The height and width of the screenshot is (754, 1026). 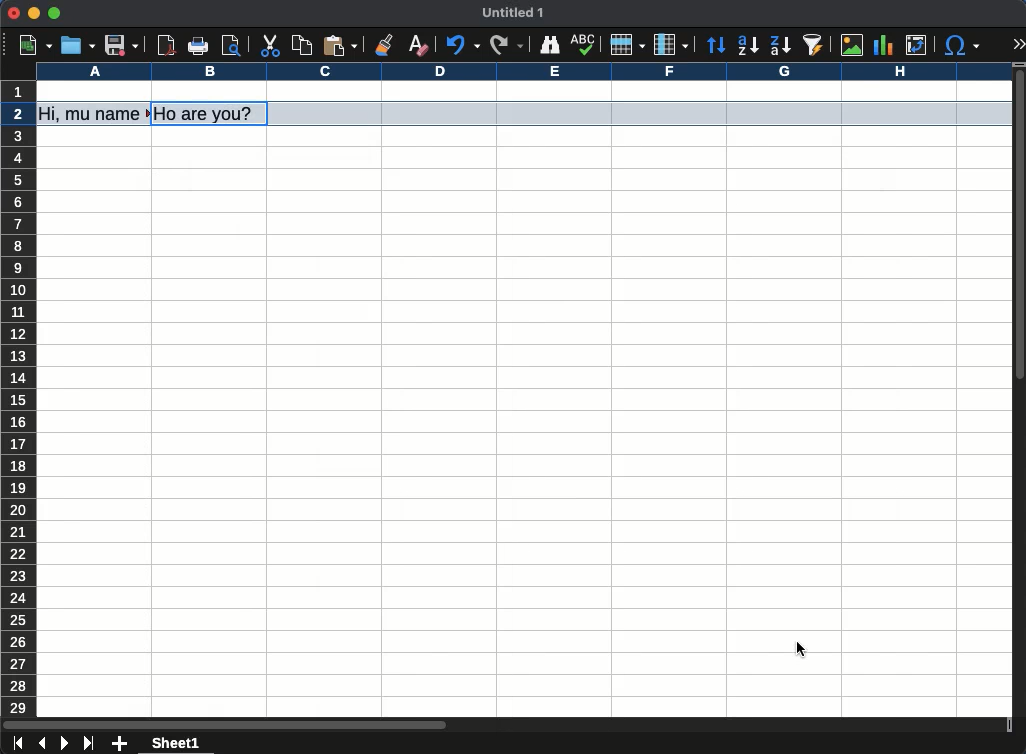 What do you see at coordinates (167, 45) in the screenshot?
I see `pdf preview` at bounding box center [167, 45].